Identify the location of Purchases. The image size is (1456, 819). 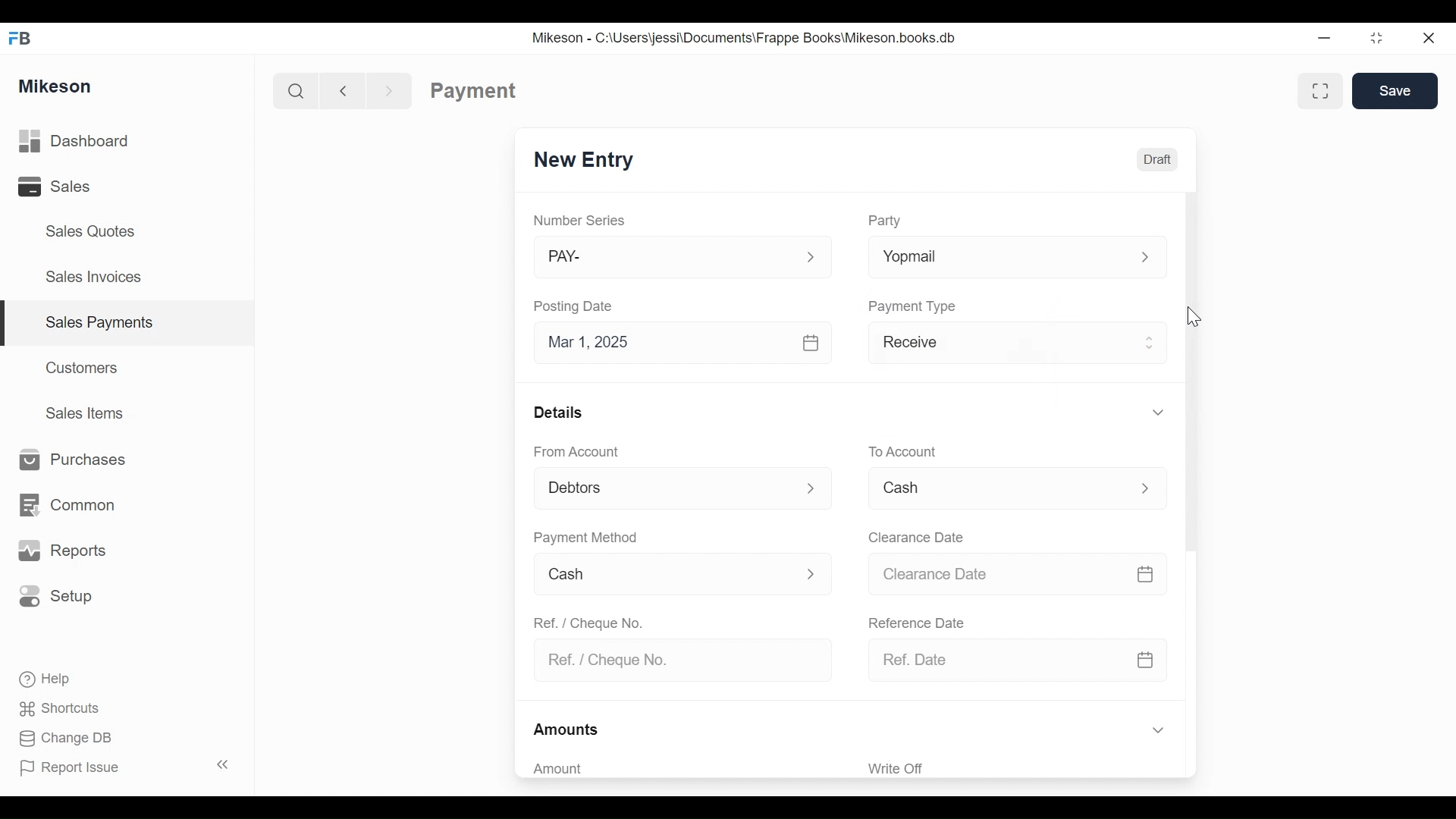
(72, 460).